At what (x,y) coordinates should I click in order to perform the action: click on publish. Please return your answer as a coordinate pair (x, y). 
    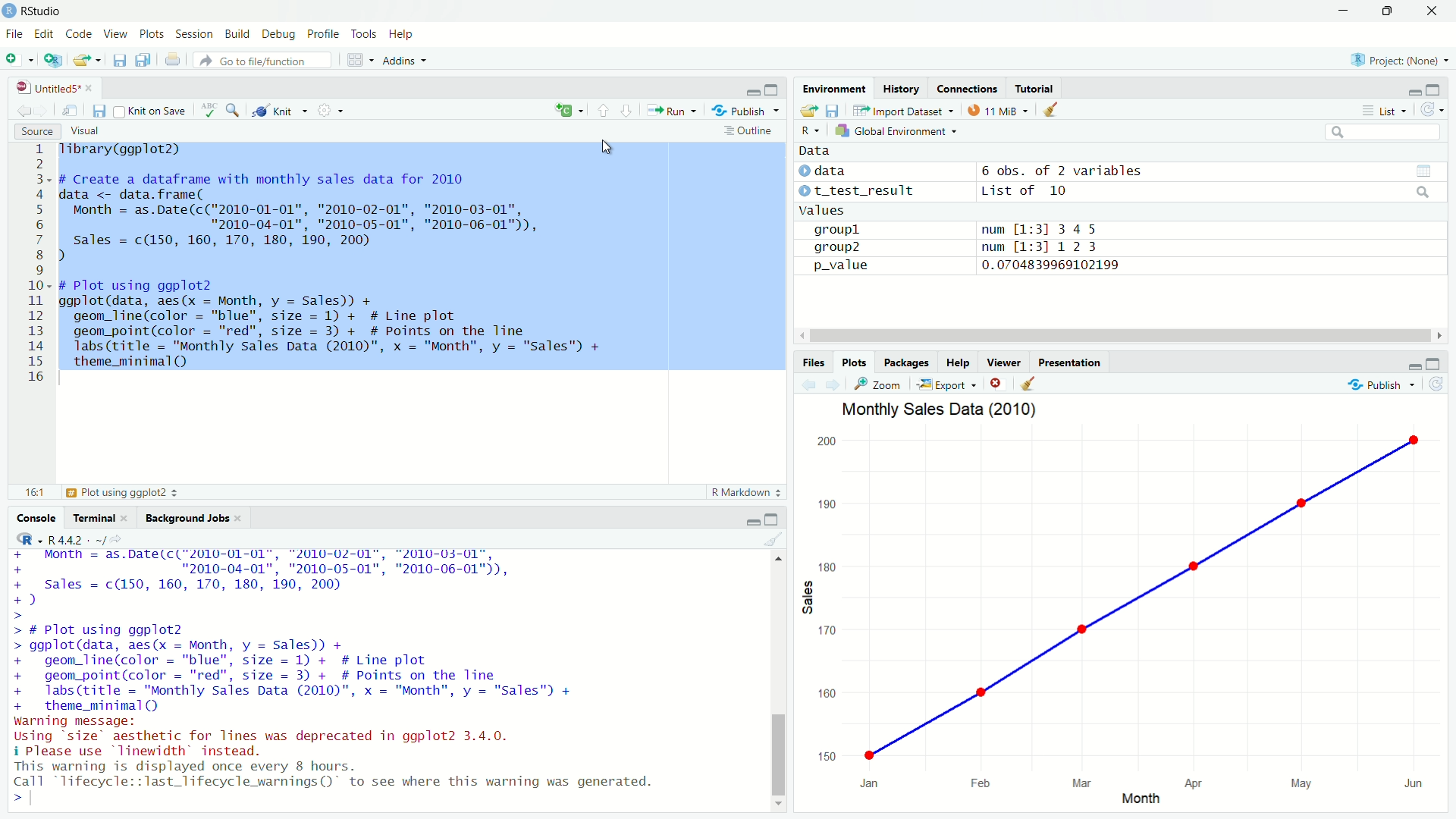
    Looking at the image, I should click on (1383, 385).